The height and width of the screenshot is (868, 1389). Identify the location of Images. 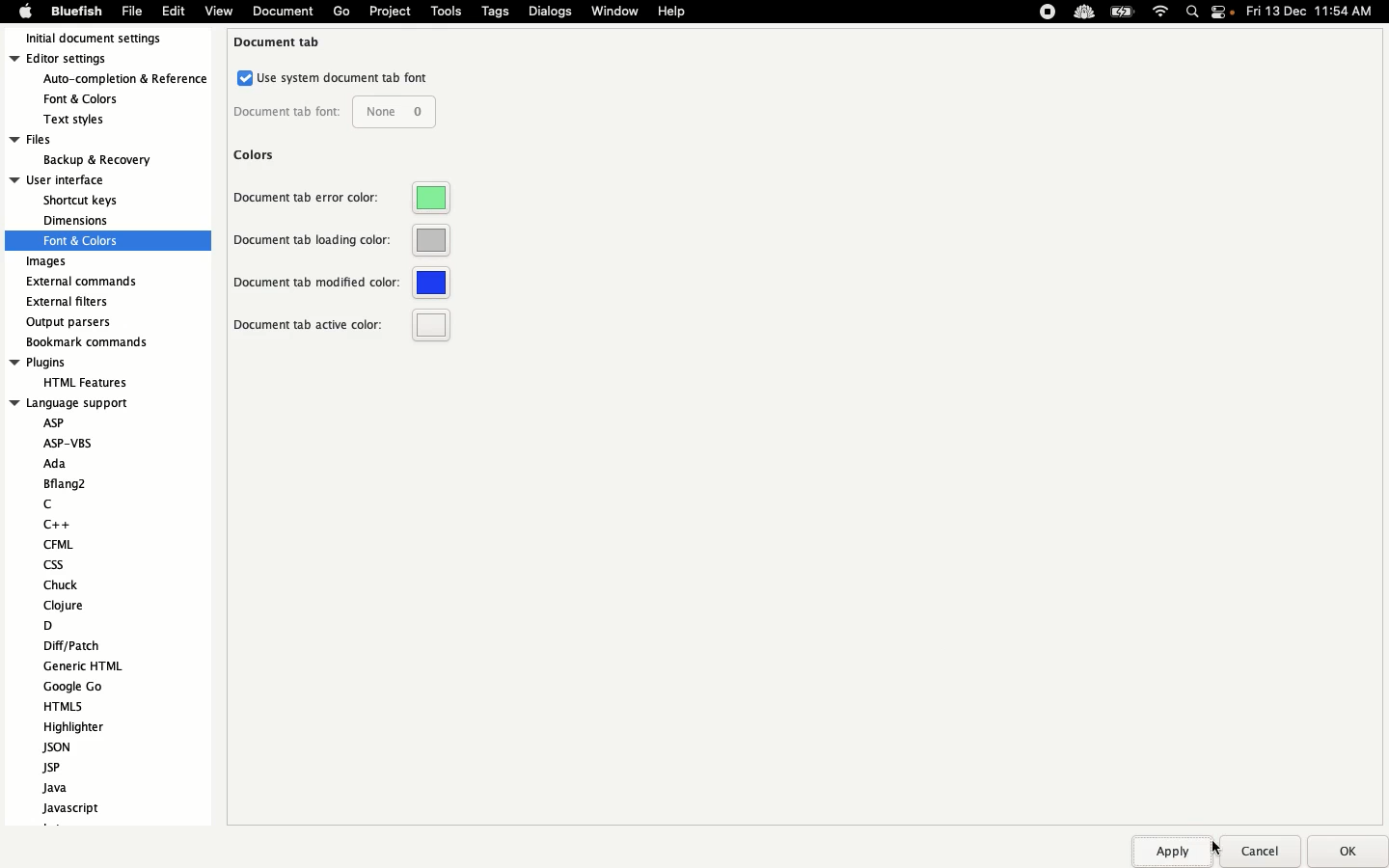
(48, 262).